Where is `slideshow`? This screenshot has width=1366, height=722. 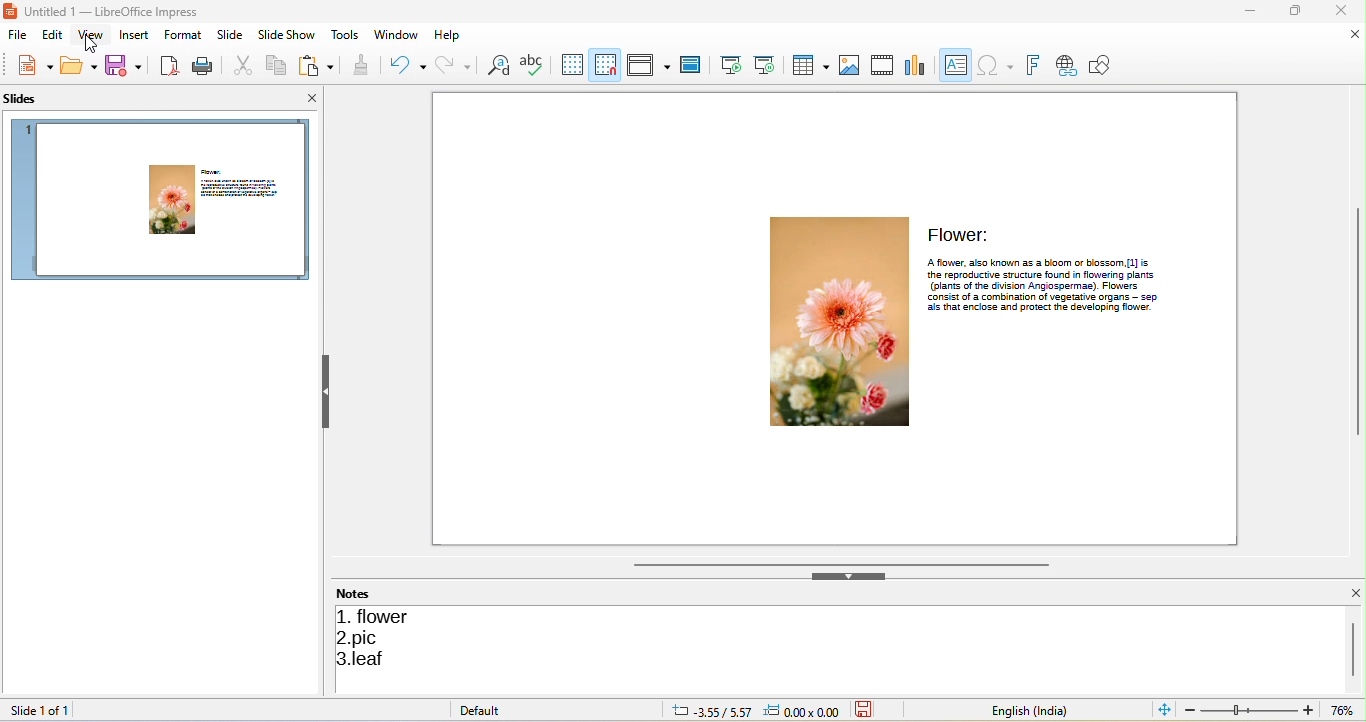 slideshow is located at coordinates (287, 35).